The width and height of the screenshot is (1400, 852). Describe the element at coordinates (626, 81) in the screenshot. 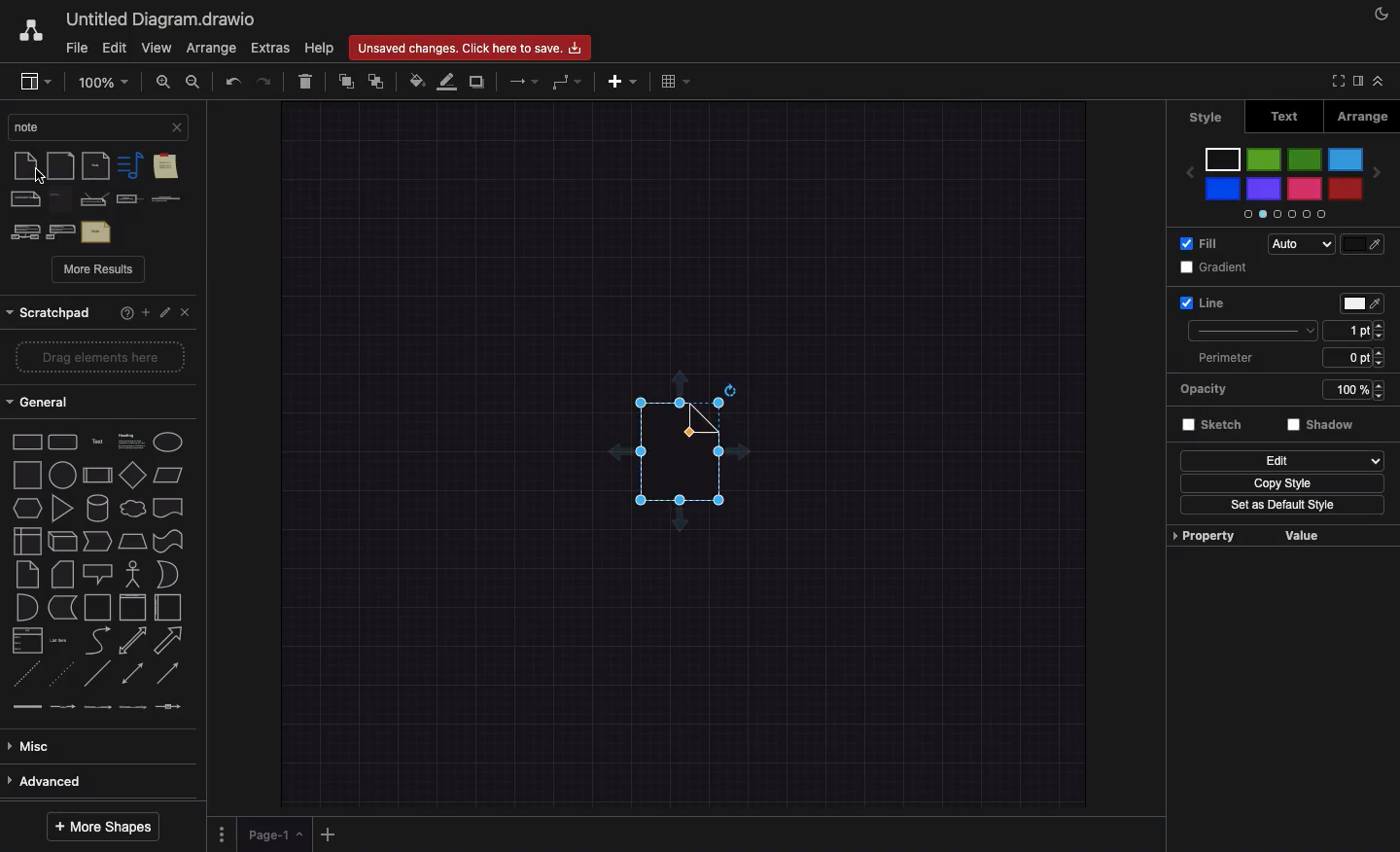

I see `Add` at that location.